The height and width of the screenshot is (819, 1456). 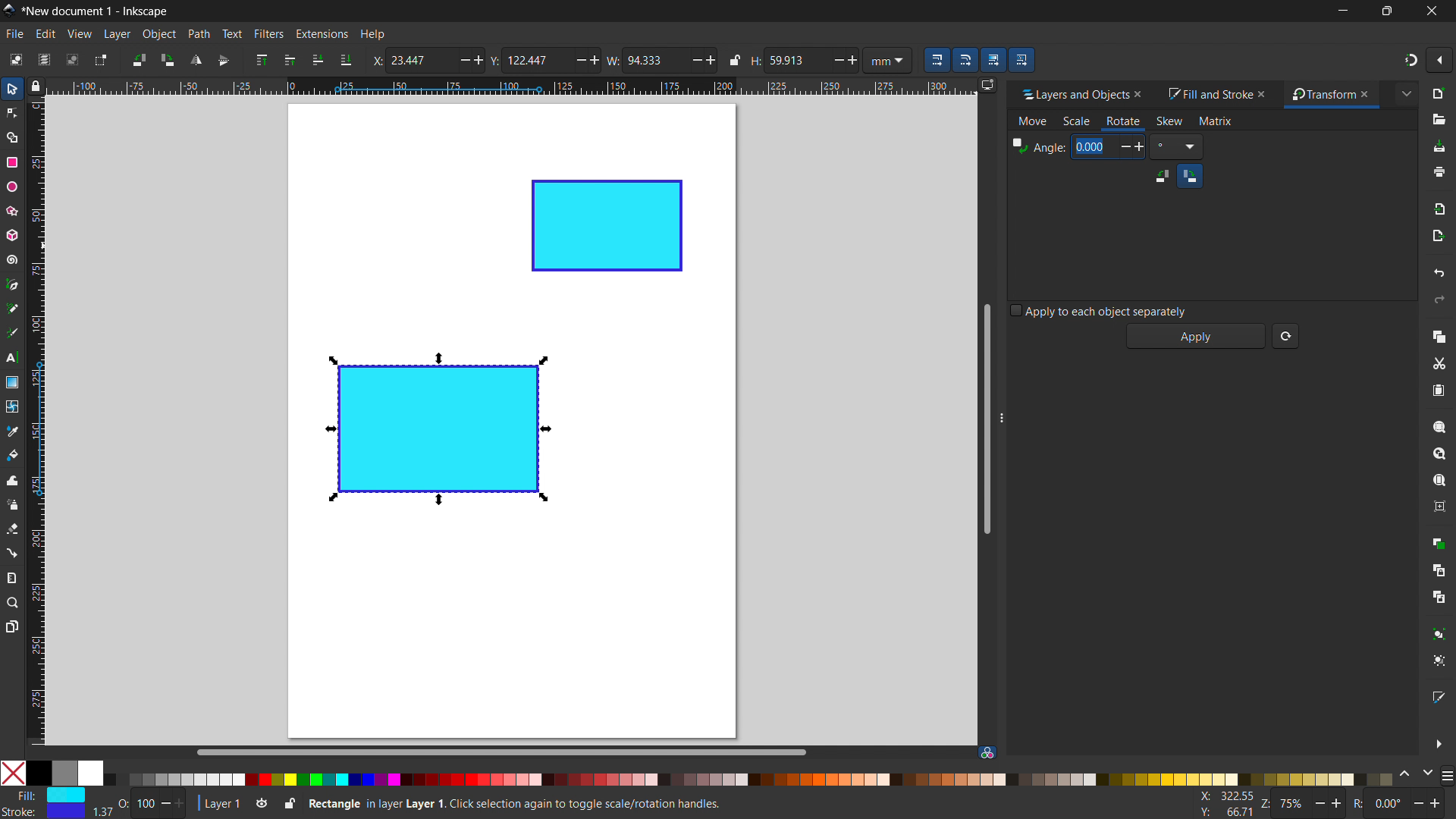 What do you see at coordinates (985, 417) in the screenshot?
I see `vertical scrollbar` at bounding box center [985, 417].